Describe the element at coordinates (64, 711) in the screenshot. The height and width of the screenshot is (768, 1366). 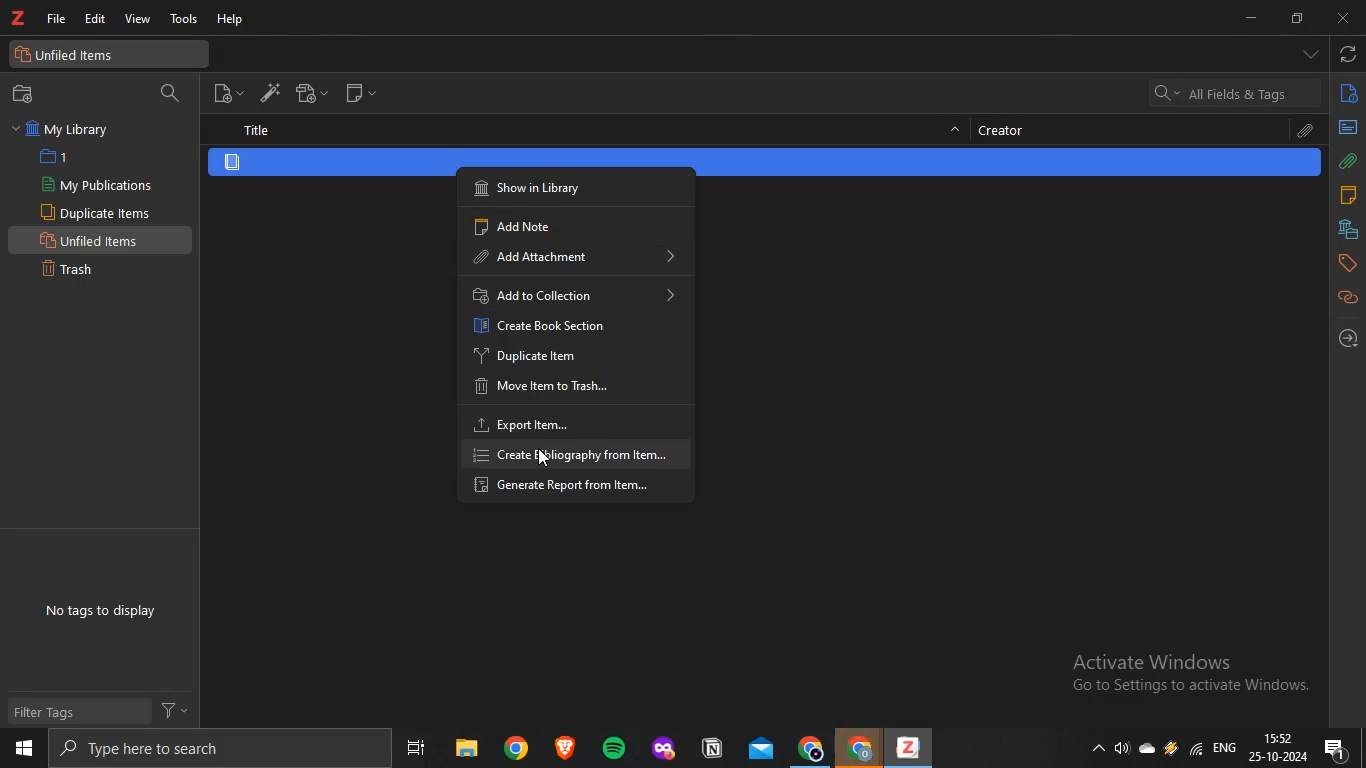
I see `Filter Tags` at that location.